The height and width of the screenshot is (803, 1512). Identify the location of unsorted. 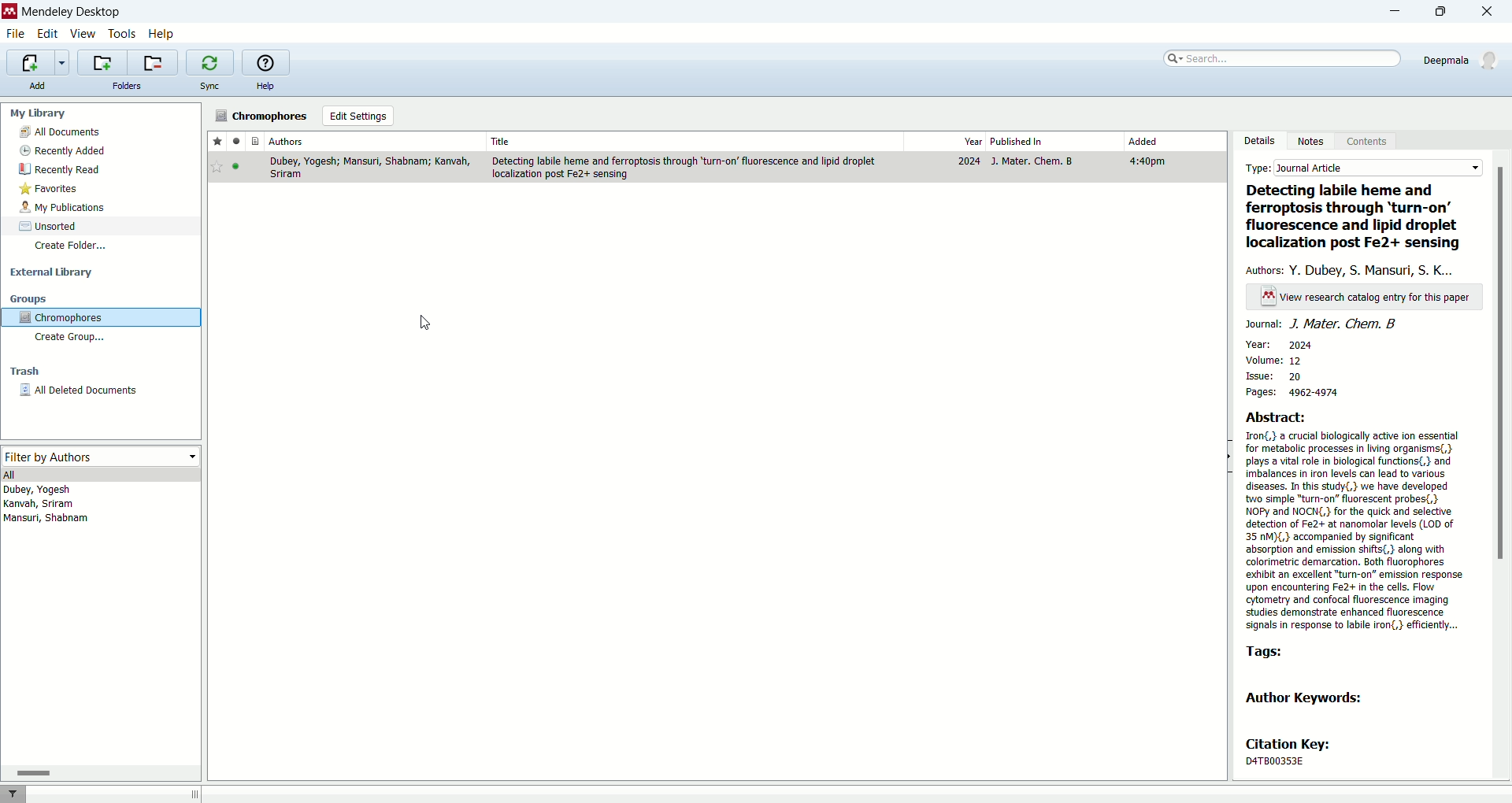
(48, 226).